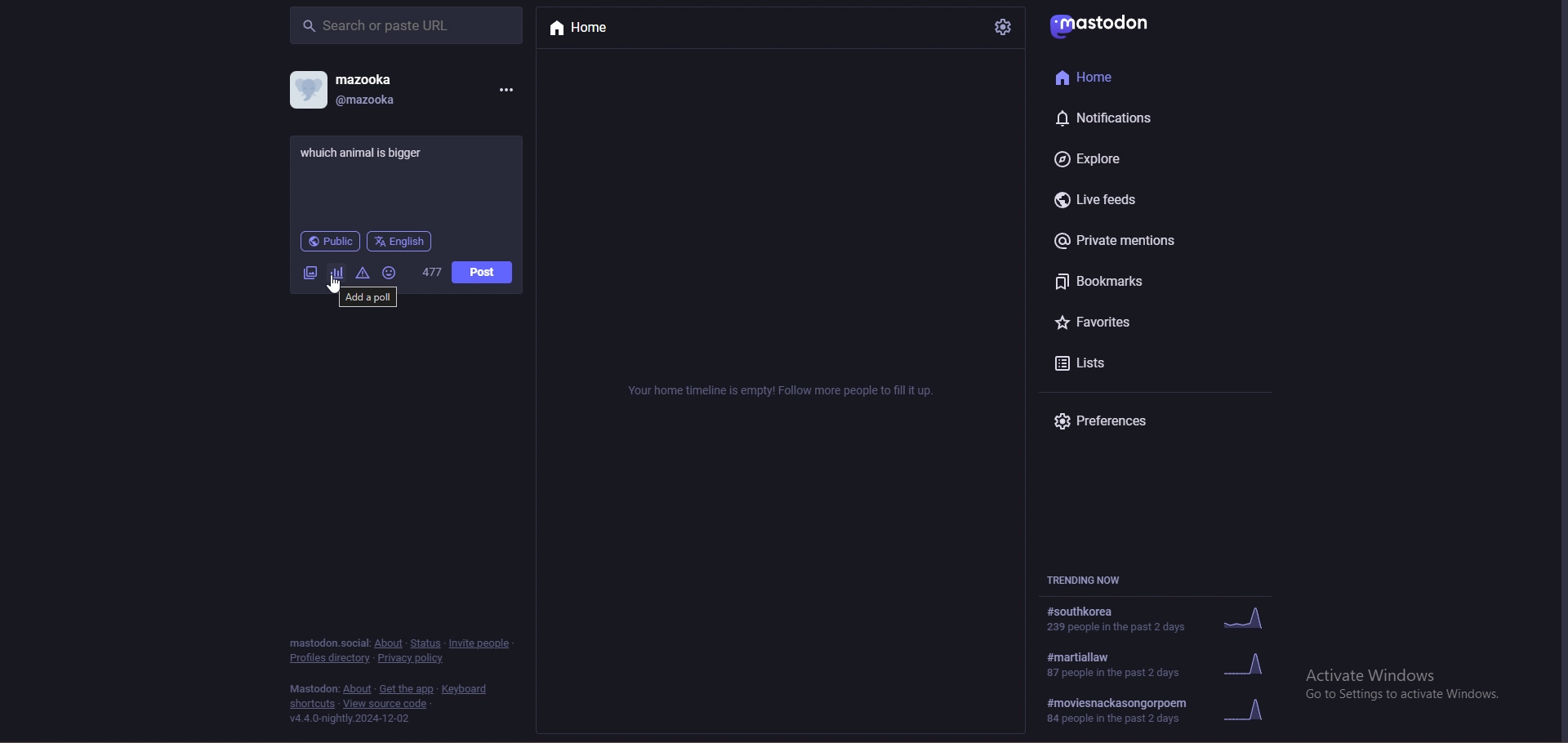  I want to click on mastodon, so click(327, 642).